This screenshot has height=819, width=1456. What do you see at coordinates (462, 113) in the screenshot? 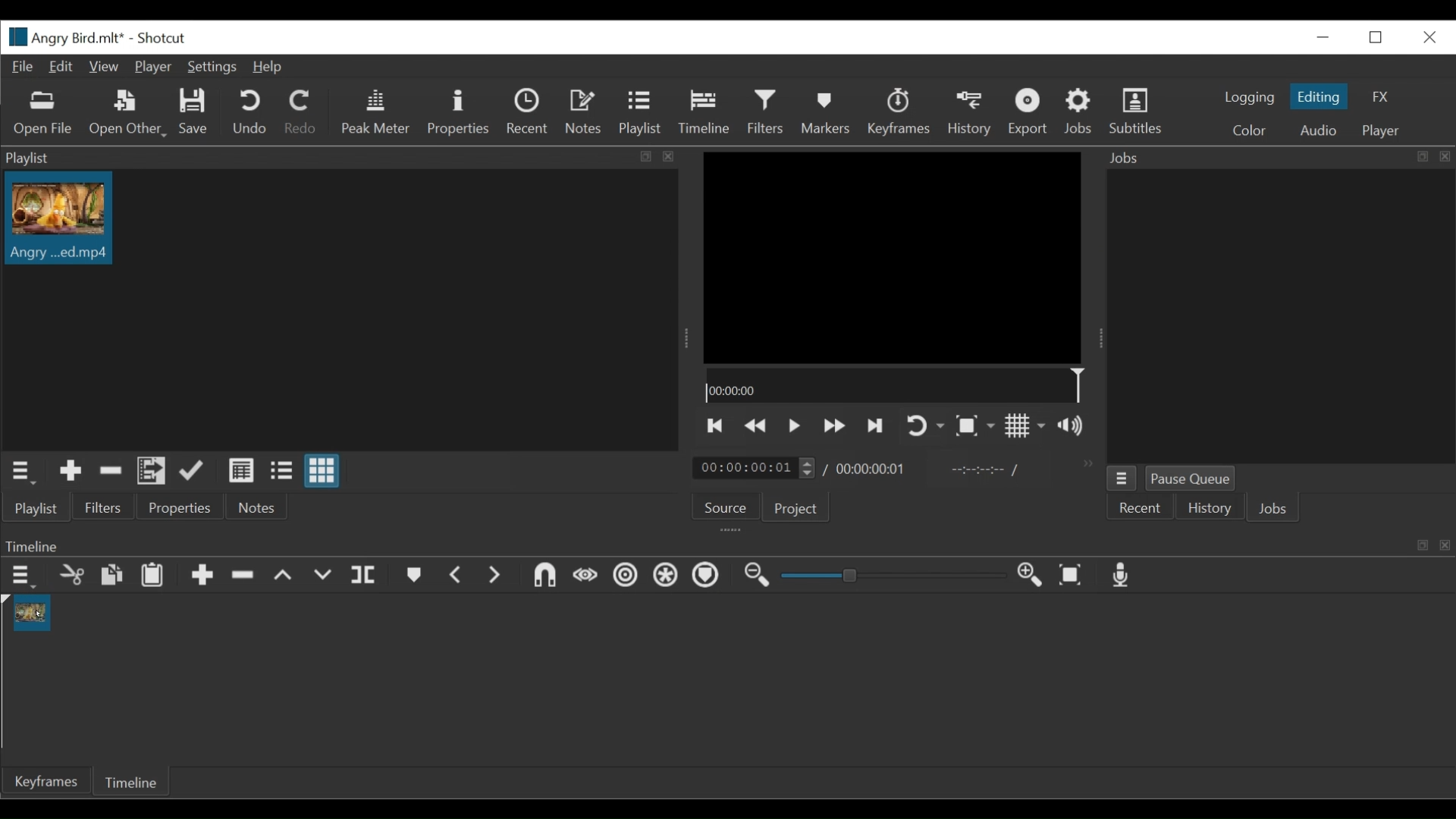
I see `Properties` at bounding box center [462, 113].